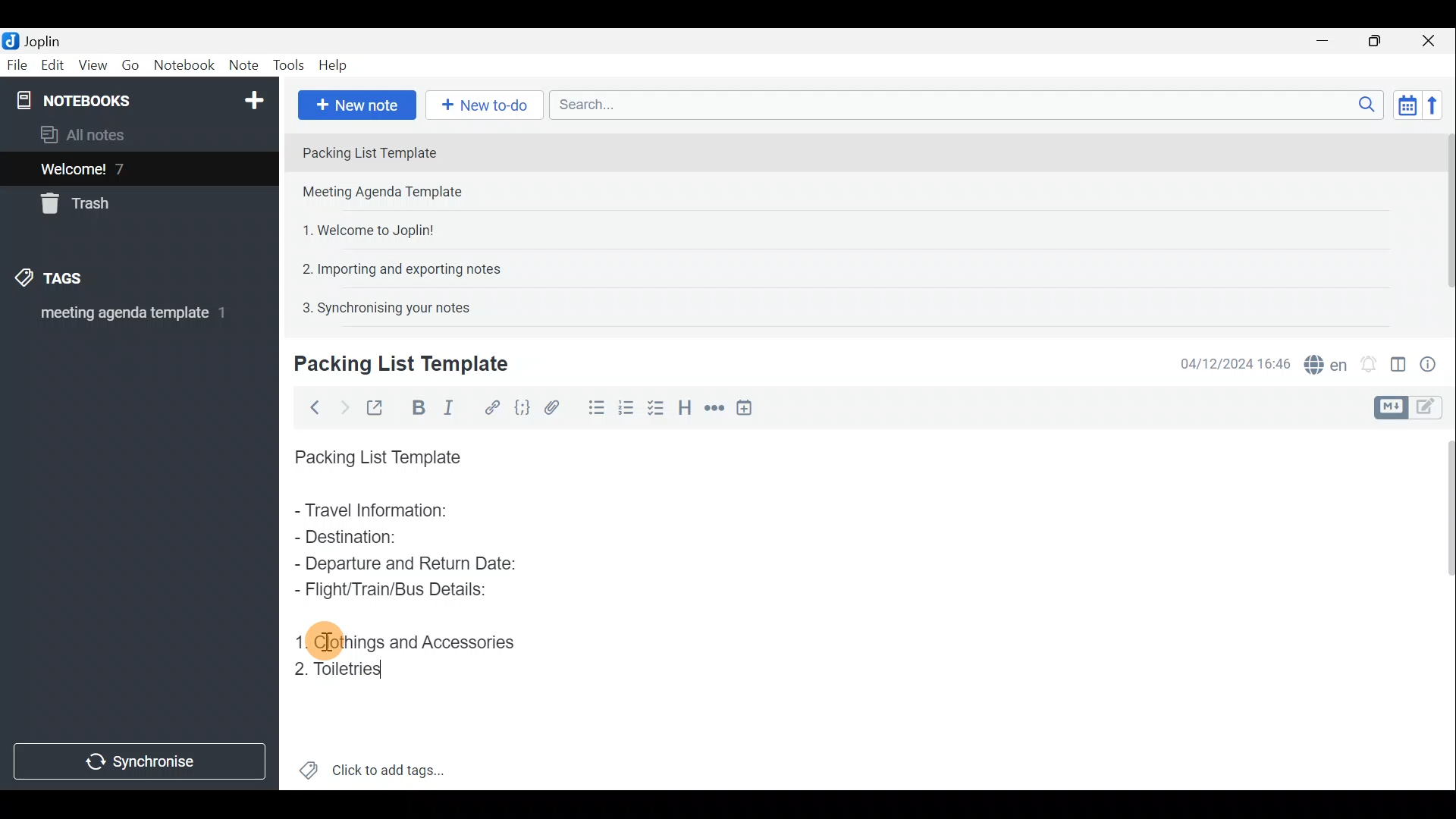  Describe the element at coordinates (142, 764) in the screenshot. I see `Synchronise` at that location.